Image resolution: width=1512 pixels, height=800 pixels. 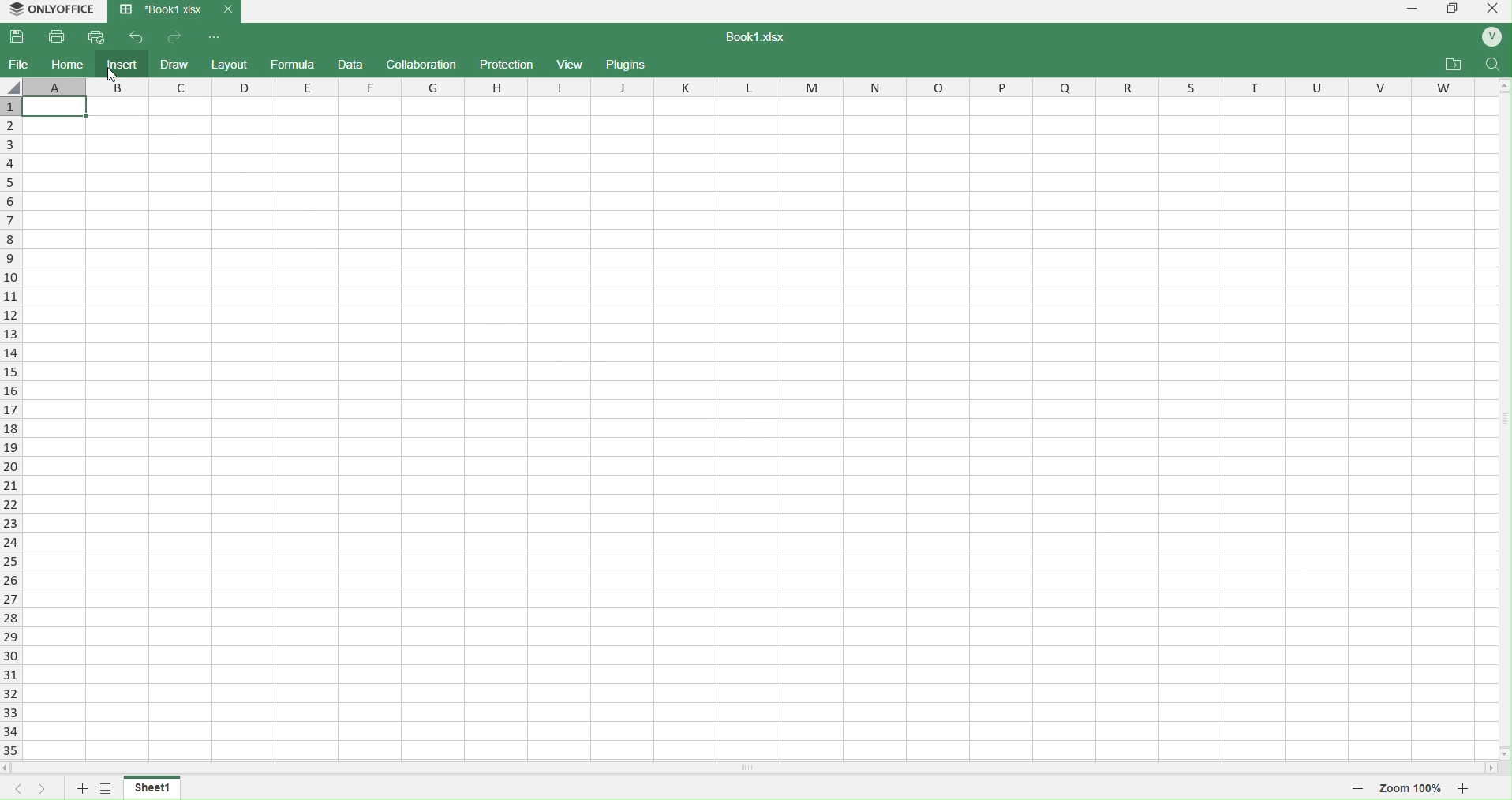 I want to click on close, so click(x=1491, y=11).